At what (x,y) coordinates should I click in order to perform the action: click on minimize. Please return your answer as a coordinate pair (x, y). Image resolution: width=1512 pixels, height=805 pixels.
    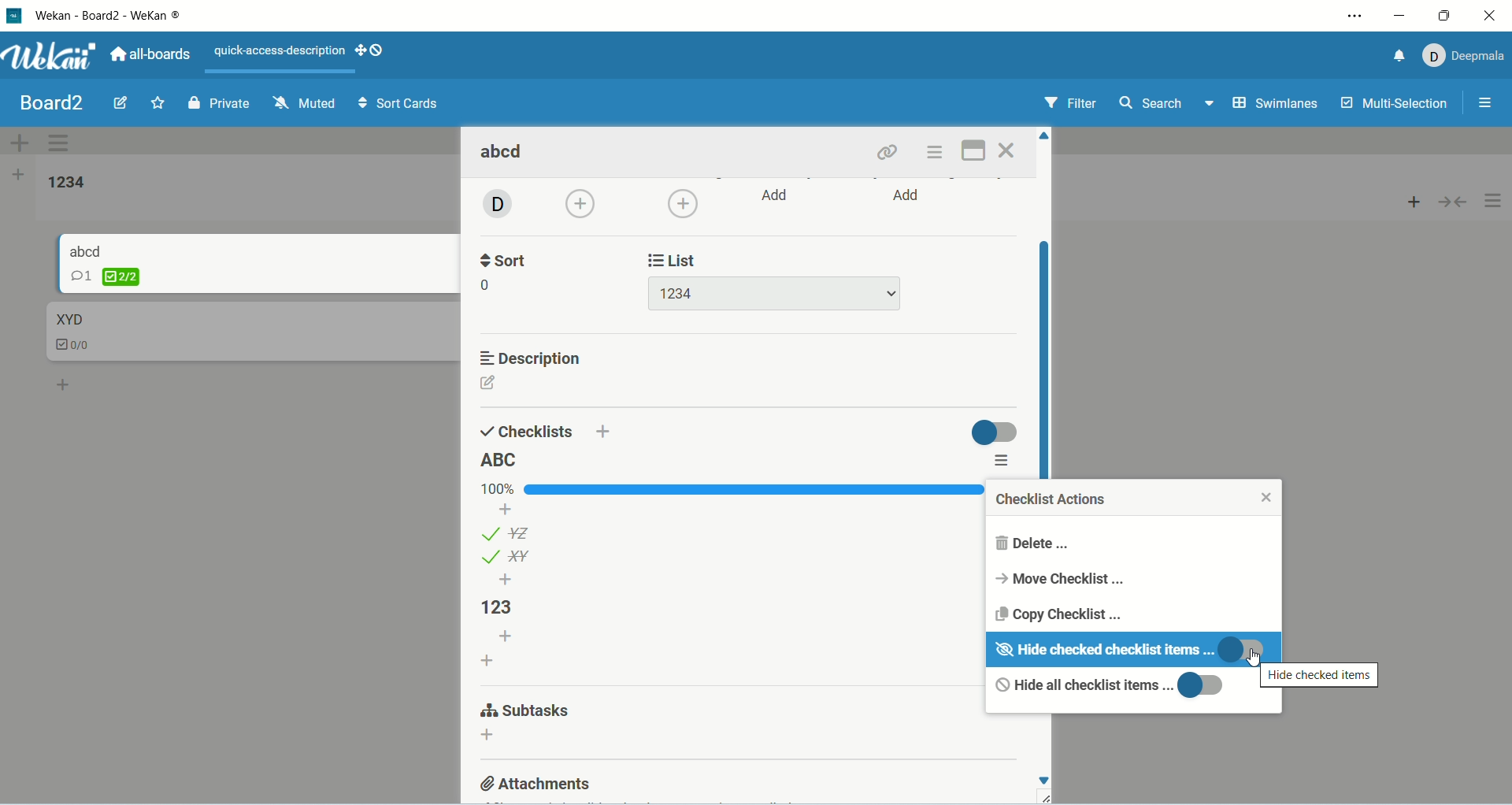
    Looking at the image, I should click on (1403, 19).